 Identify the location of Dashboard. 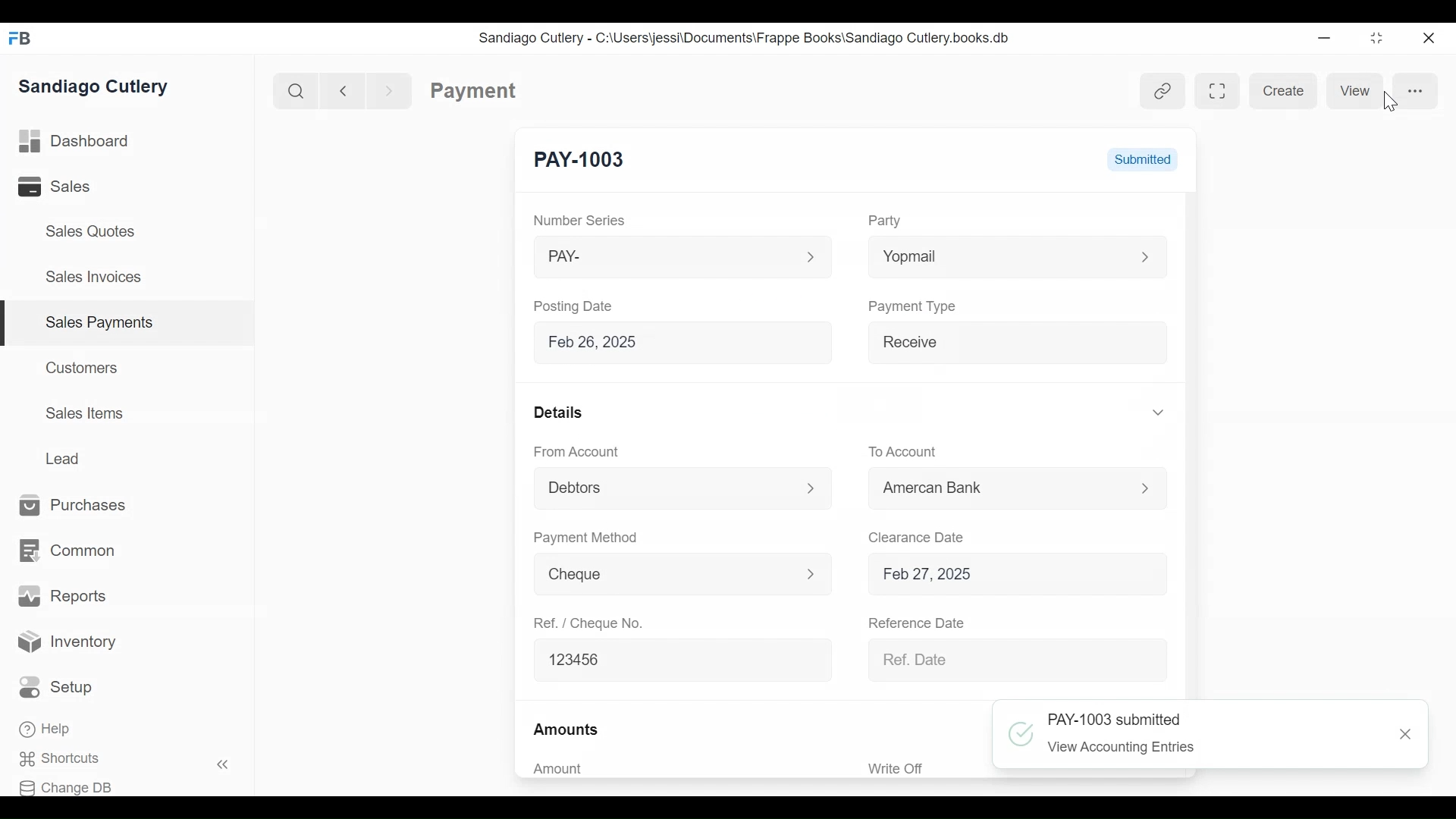
(69, 142).